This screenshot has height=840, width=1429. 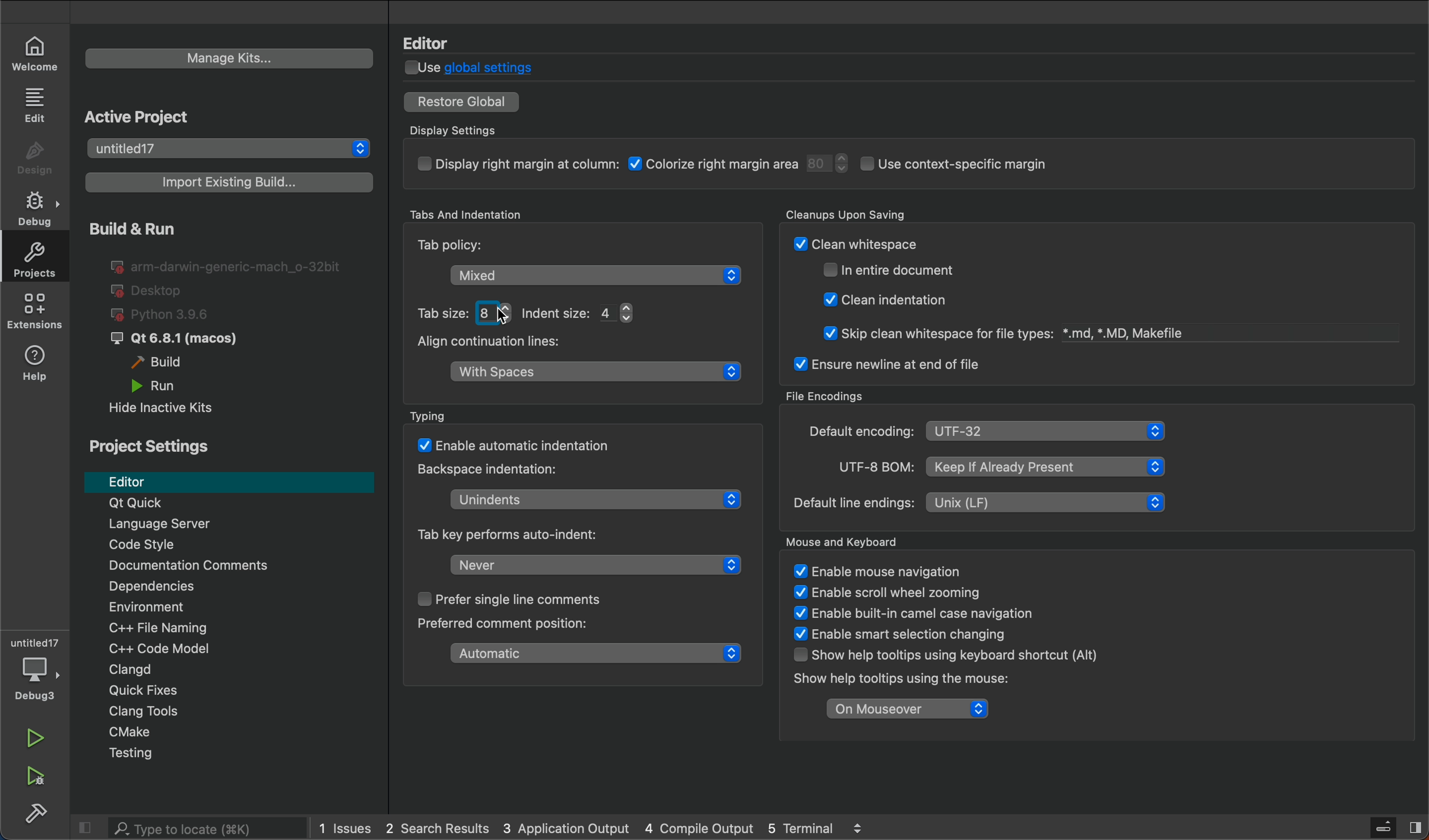 I want to click on never, so click(x=587, y=565).